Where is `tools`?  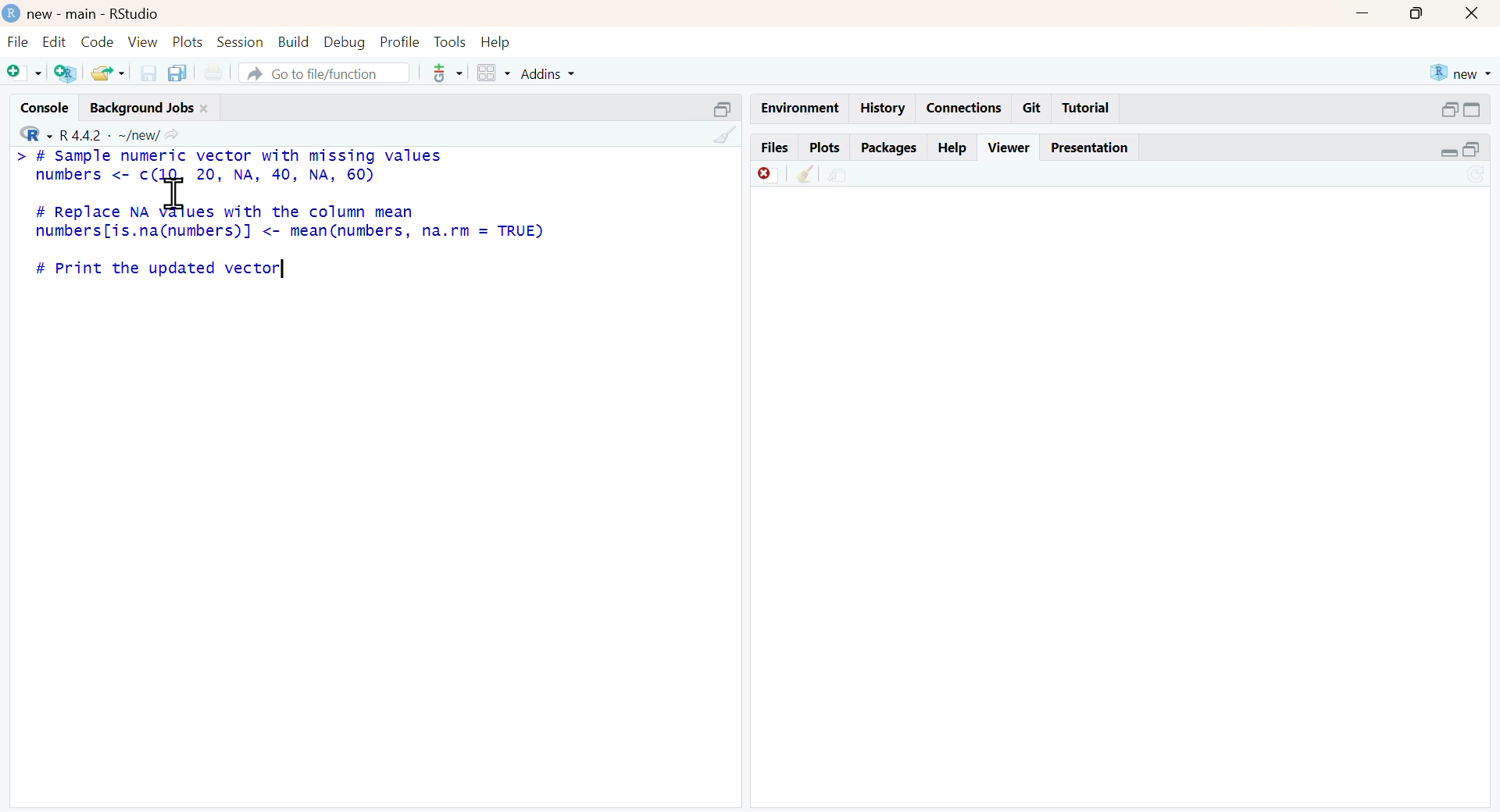
tools is located at coordinates (450, 41).